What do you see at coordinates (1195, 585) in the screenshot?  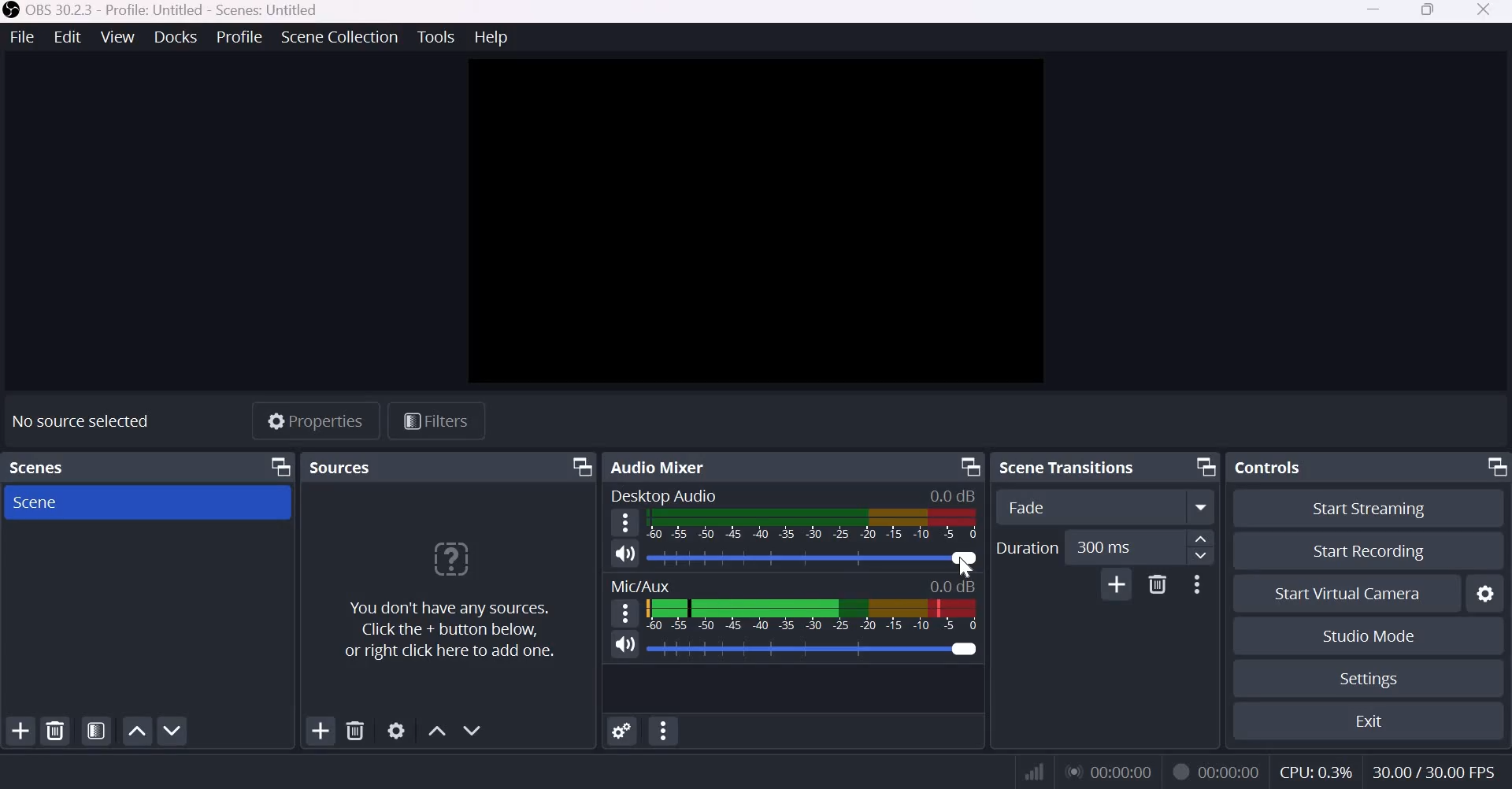 I see `More Options` at bounding box center [1195, 585].